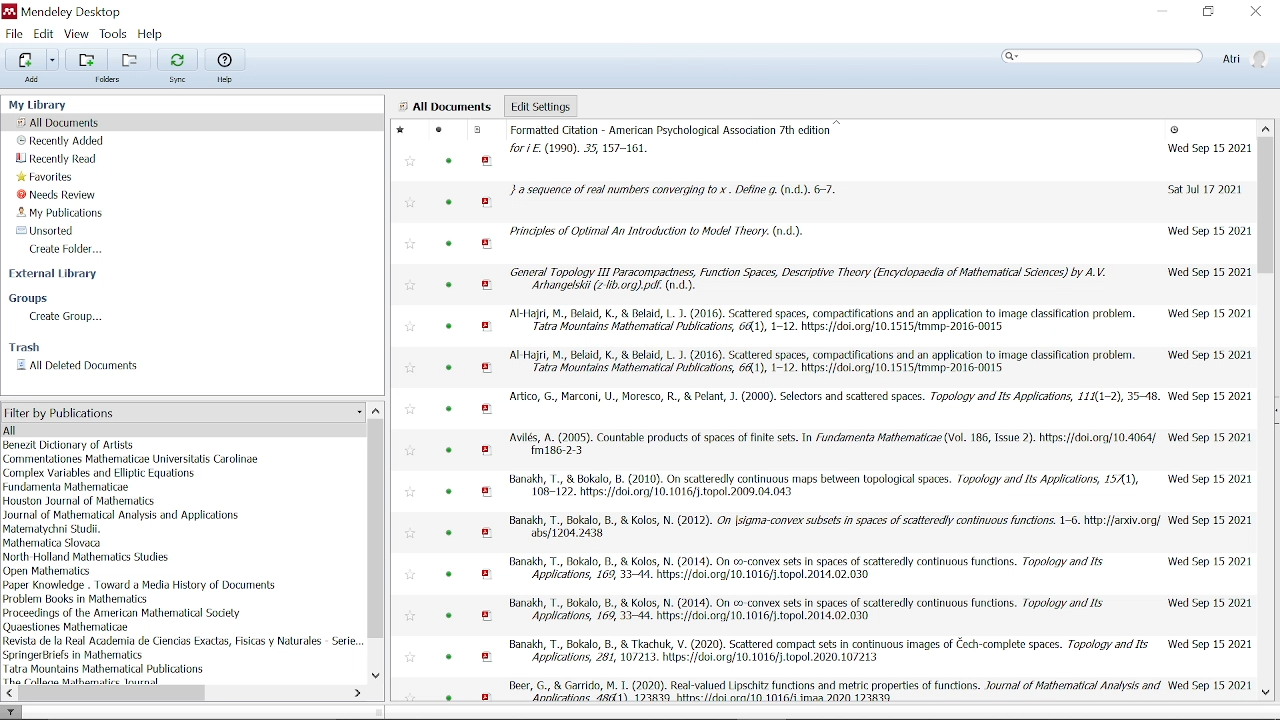 The image size is (1280, 720). I want to click on pdf, so click(488, 161).